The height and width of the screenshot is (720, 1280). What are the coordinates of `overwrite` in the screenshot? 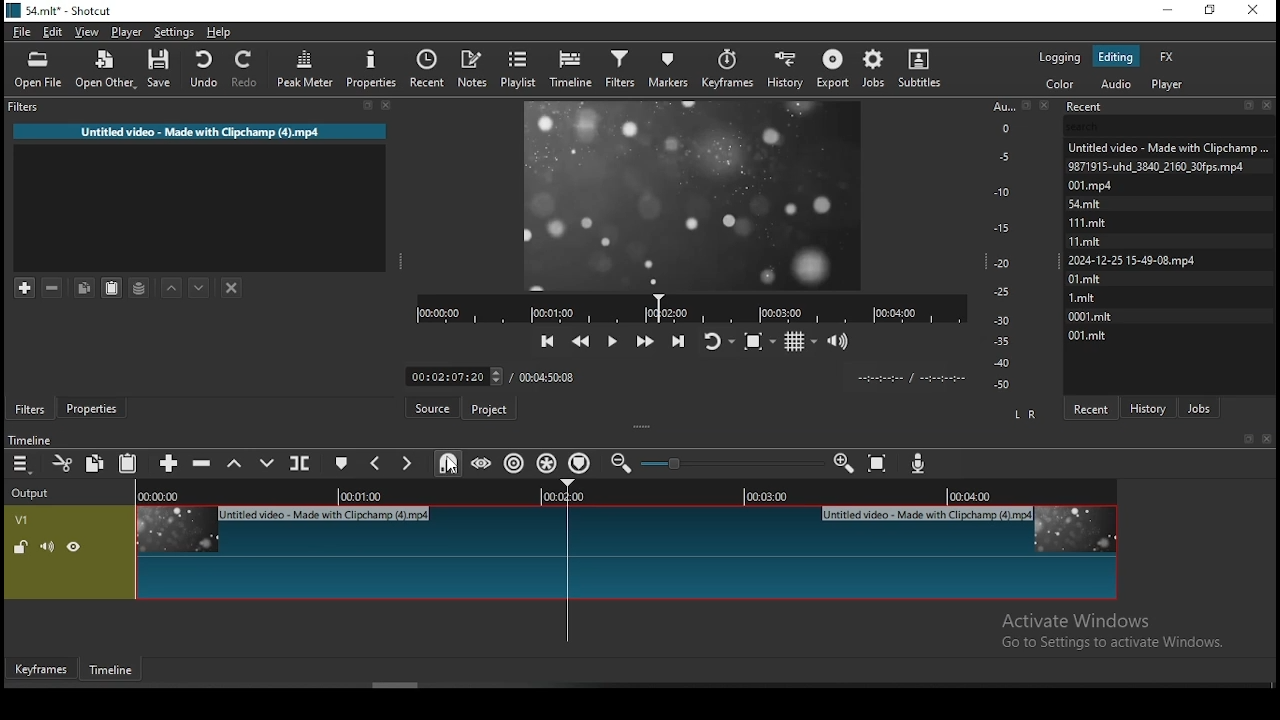 It's located at (270, 464).